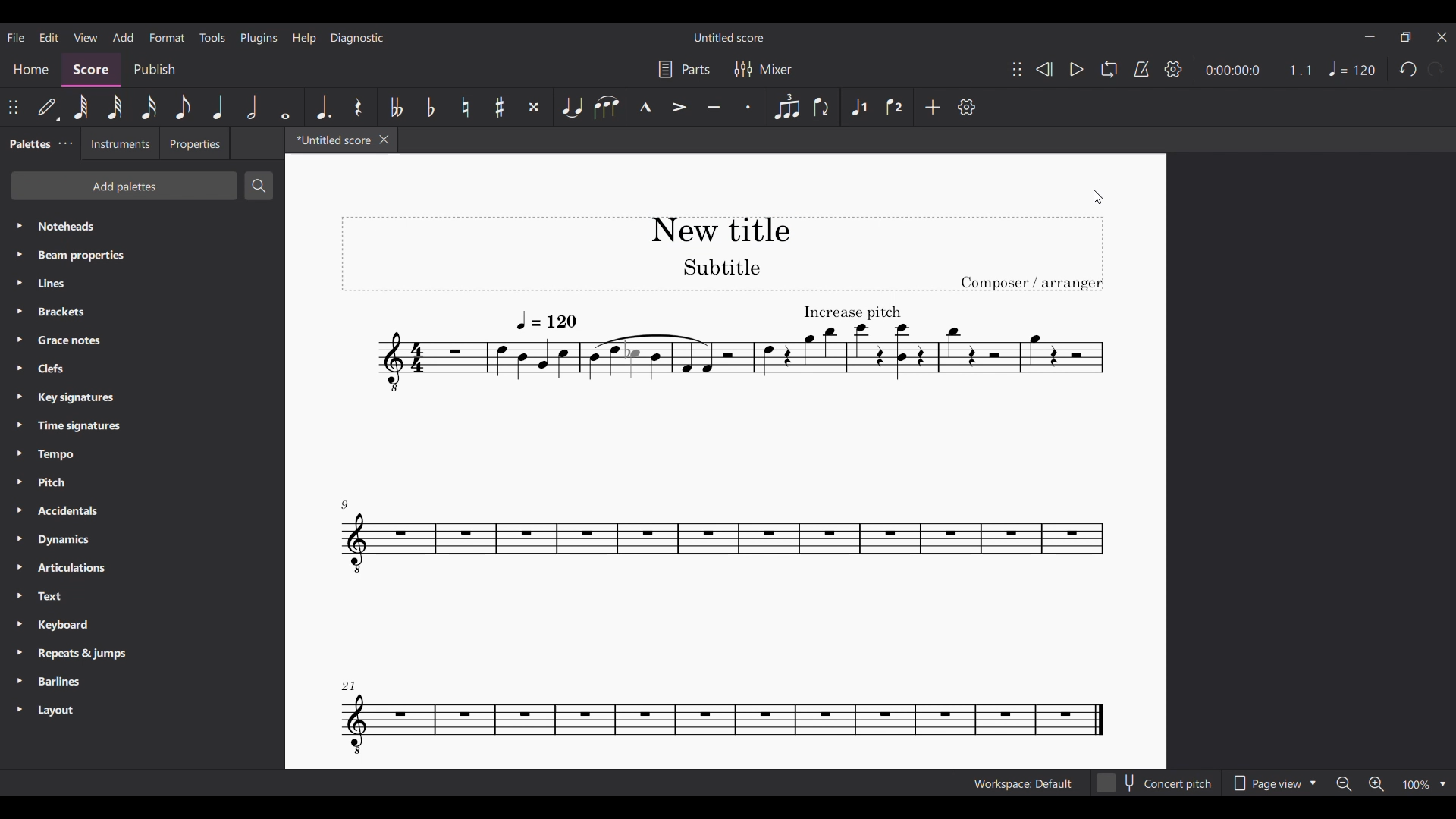 The width and height of the screenshot is (1456, 819). I want to click on Whole note, so click(287, 107).